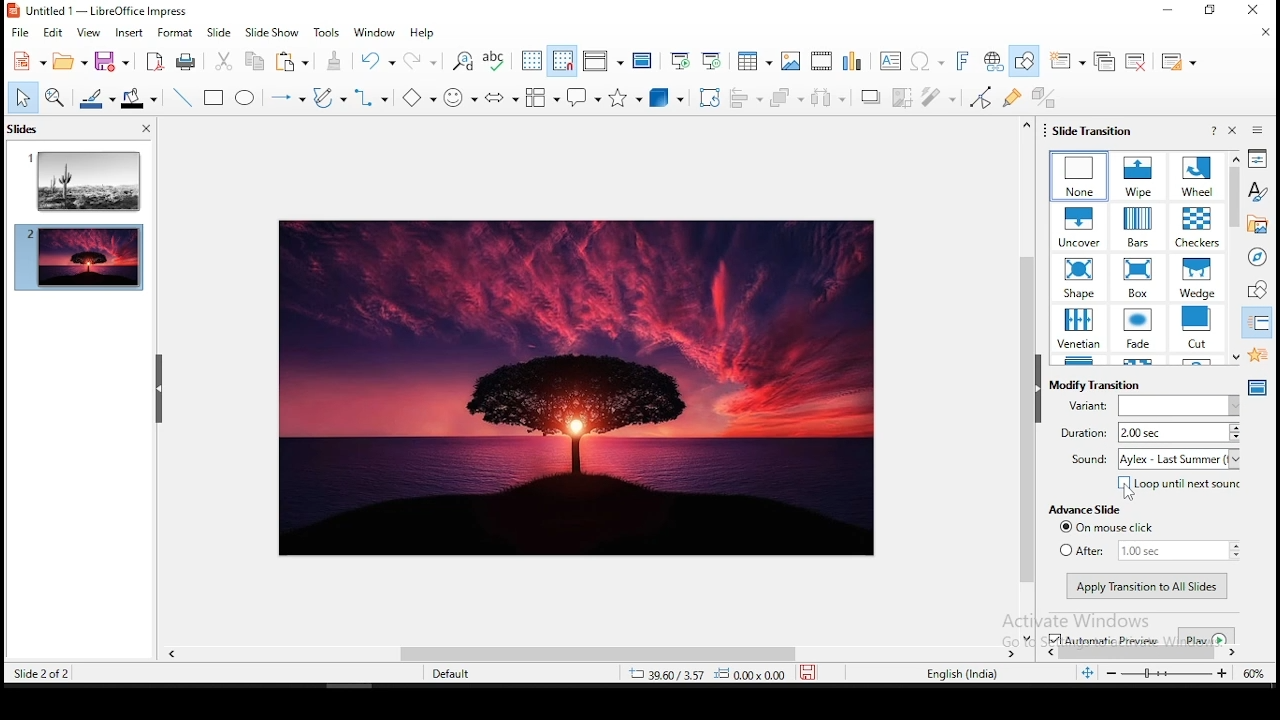 This screenshot has width=1280, height=720. I want to click on undo, so click(379, 63).